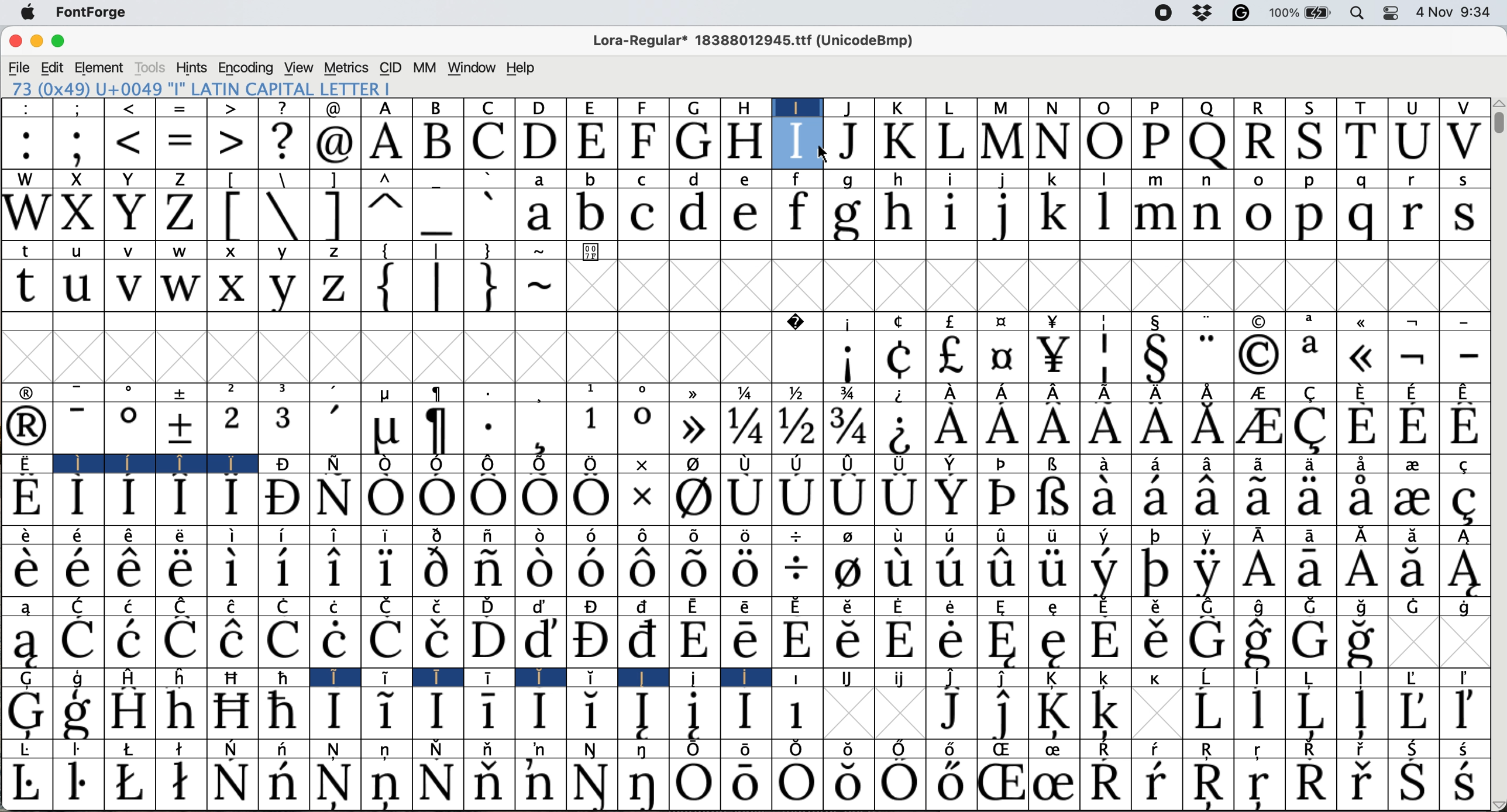 This screenshot has width=1507, height=812. I want to click on Symbol, so click(1260, 711).